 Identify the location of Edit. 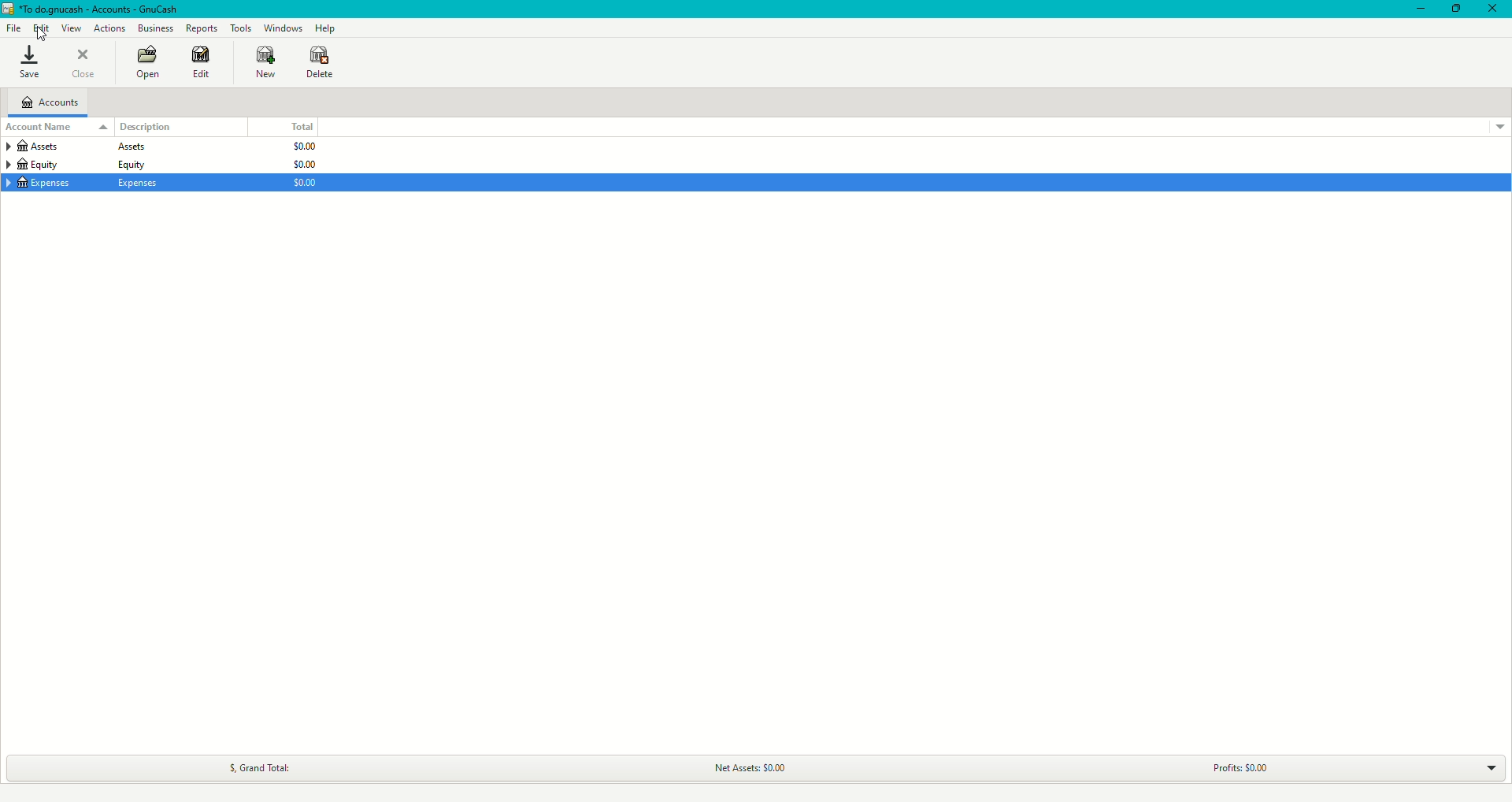
(39, 28).